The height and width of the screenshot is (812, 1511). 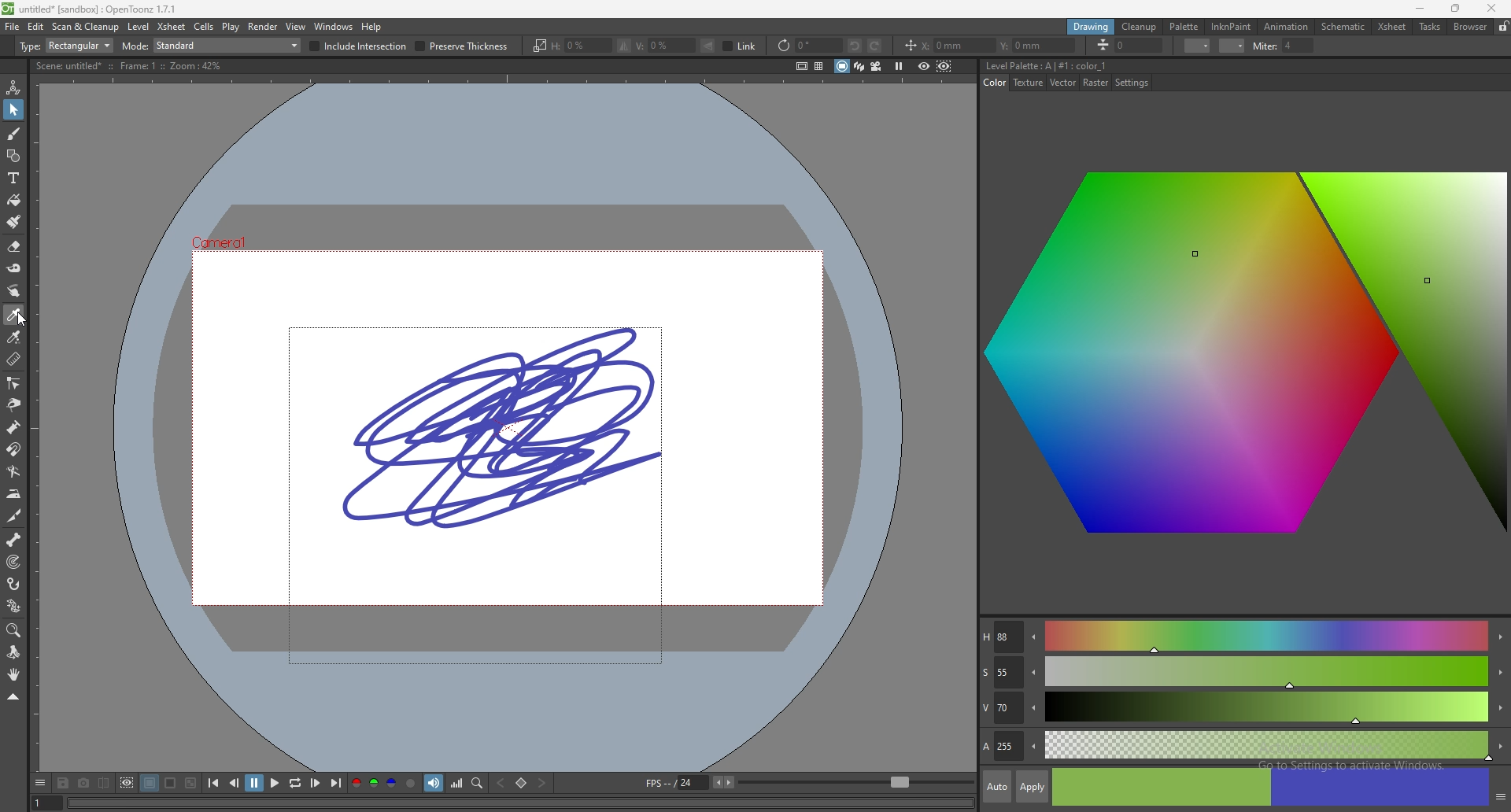 What do you see at coordinates (580, 46) in the screenshot?
I see `horizontal` at bounding box center [580, 46].